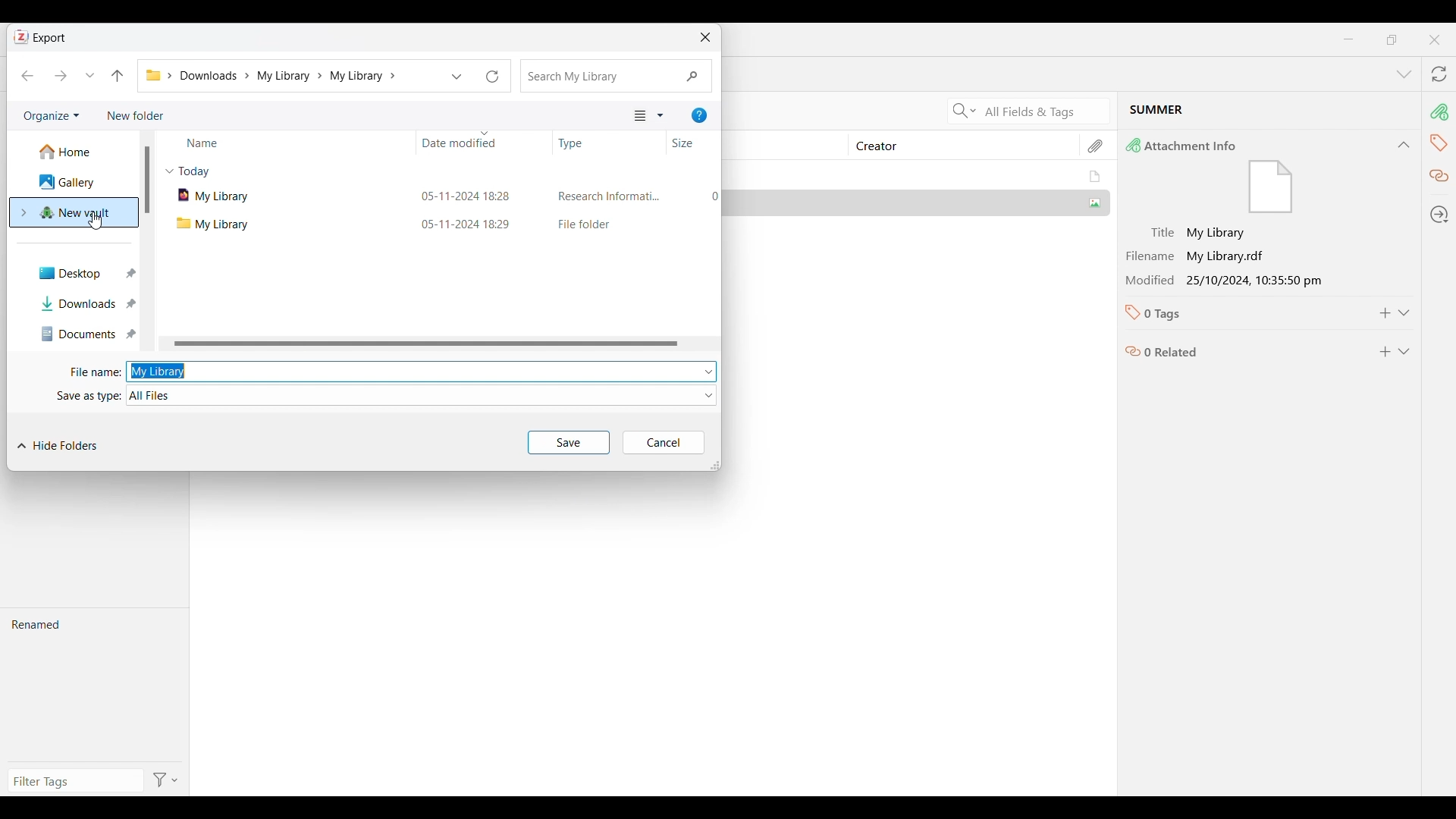 This screenshot has height=819, width=1456. Describe the element at coordinates (715, 466) in the screenshot. I see `Change dimension of window` at that location.